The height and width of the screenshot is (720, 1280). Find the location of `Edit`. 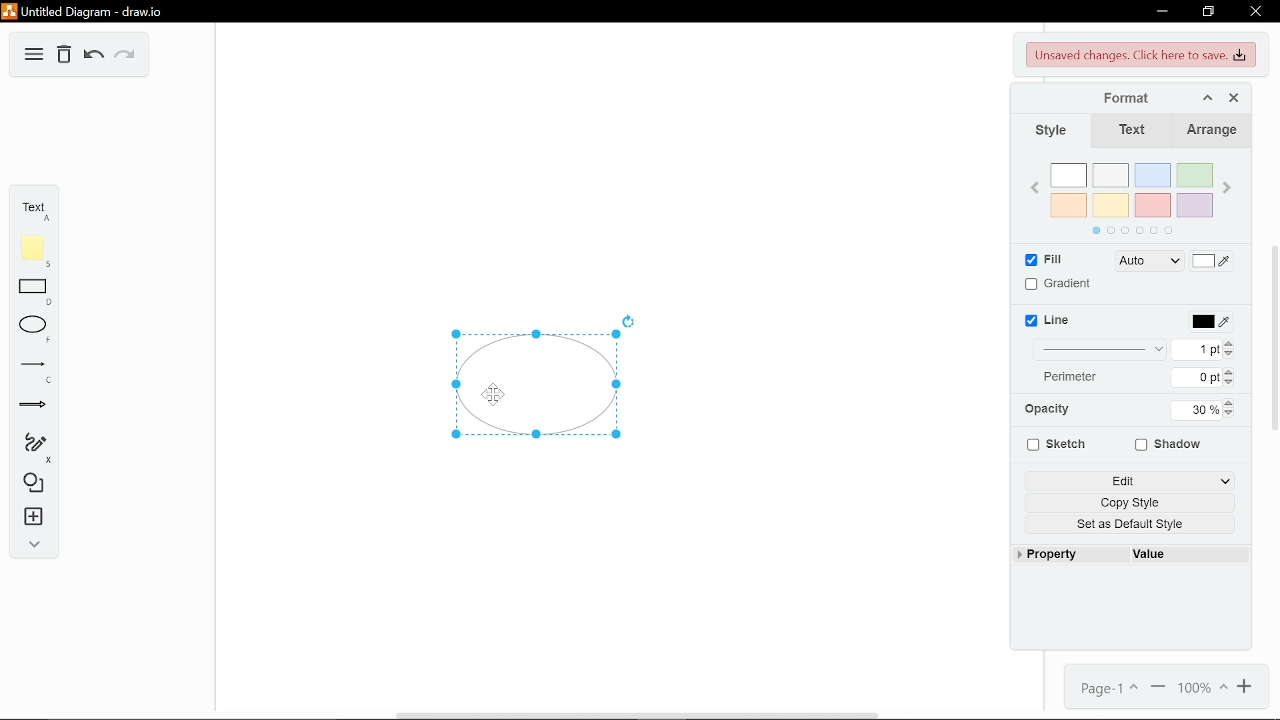

Edit is located at coordinates (1131, 481).